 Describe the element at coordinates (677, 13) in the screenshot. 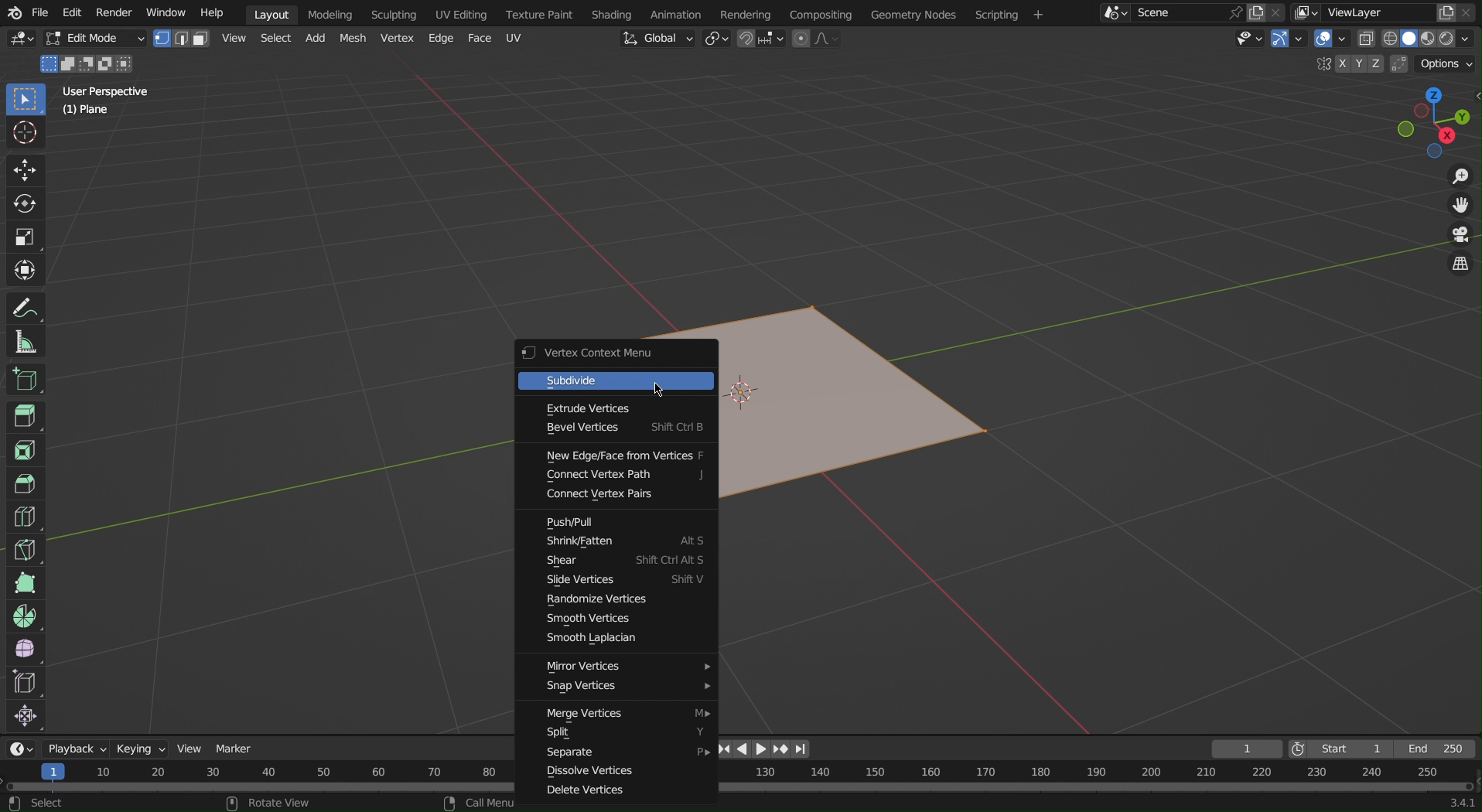

I see `Animation` at that location.